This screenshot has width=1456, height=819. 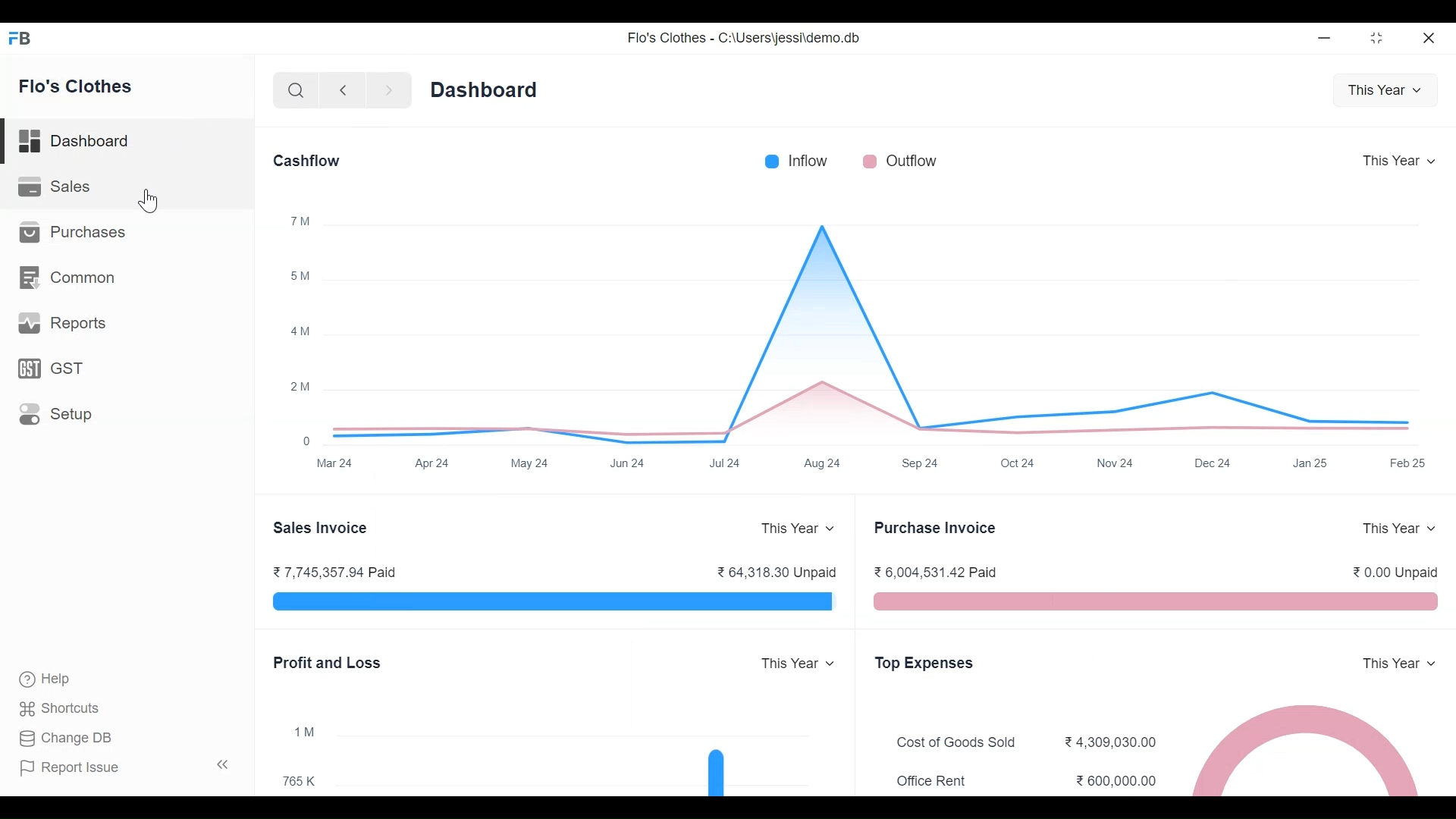 What do you see at coordinates (1313, 463) in the screenshot?
I see `Jan25` at bounding box center [1313, 463].